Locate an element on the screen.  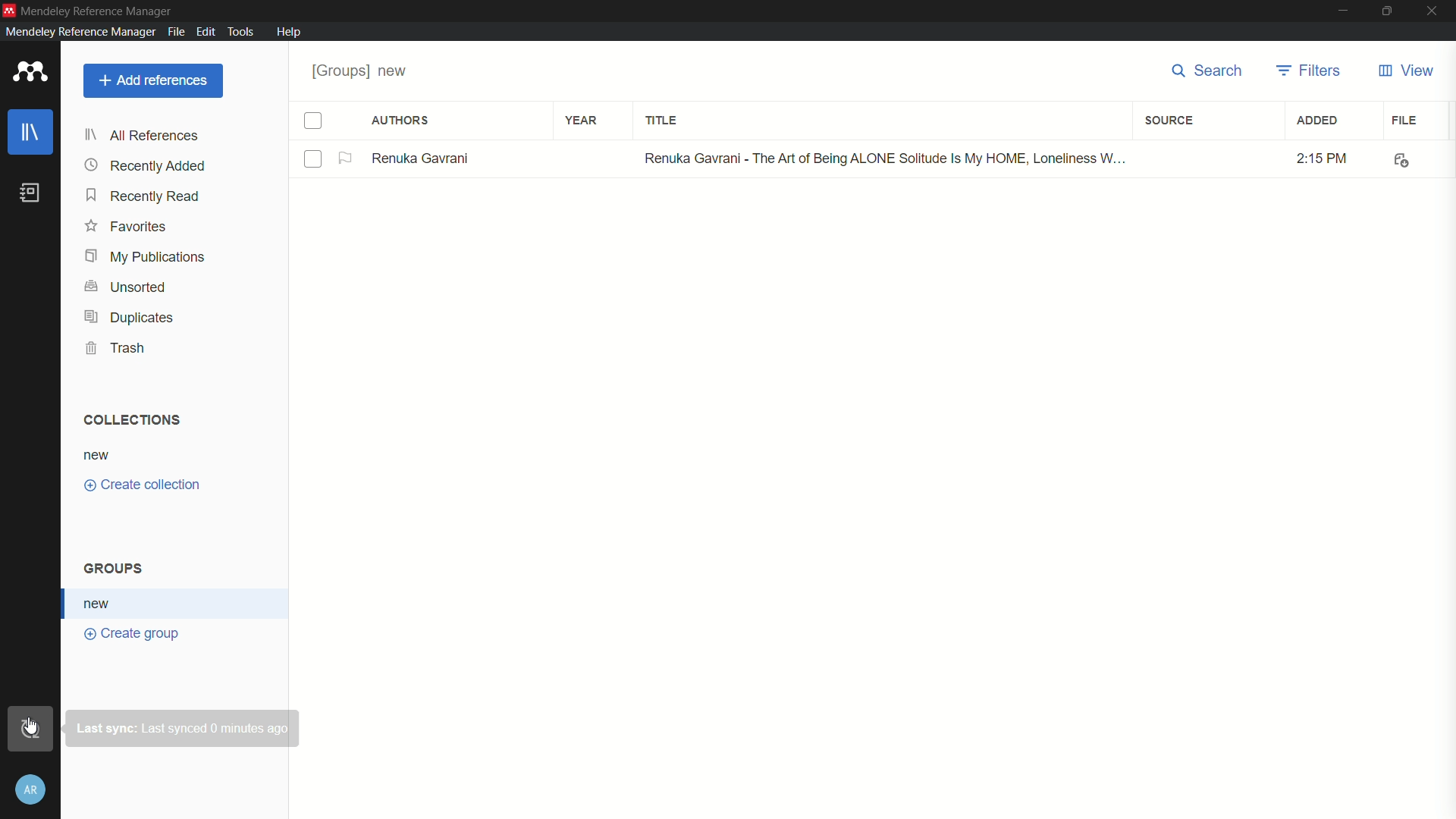
sync is located at coordinates (28, 729).